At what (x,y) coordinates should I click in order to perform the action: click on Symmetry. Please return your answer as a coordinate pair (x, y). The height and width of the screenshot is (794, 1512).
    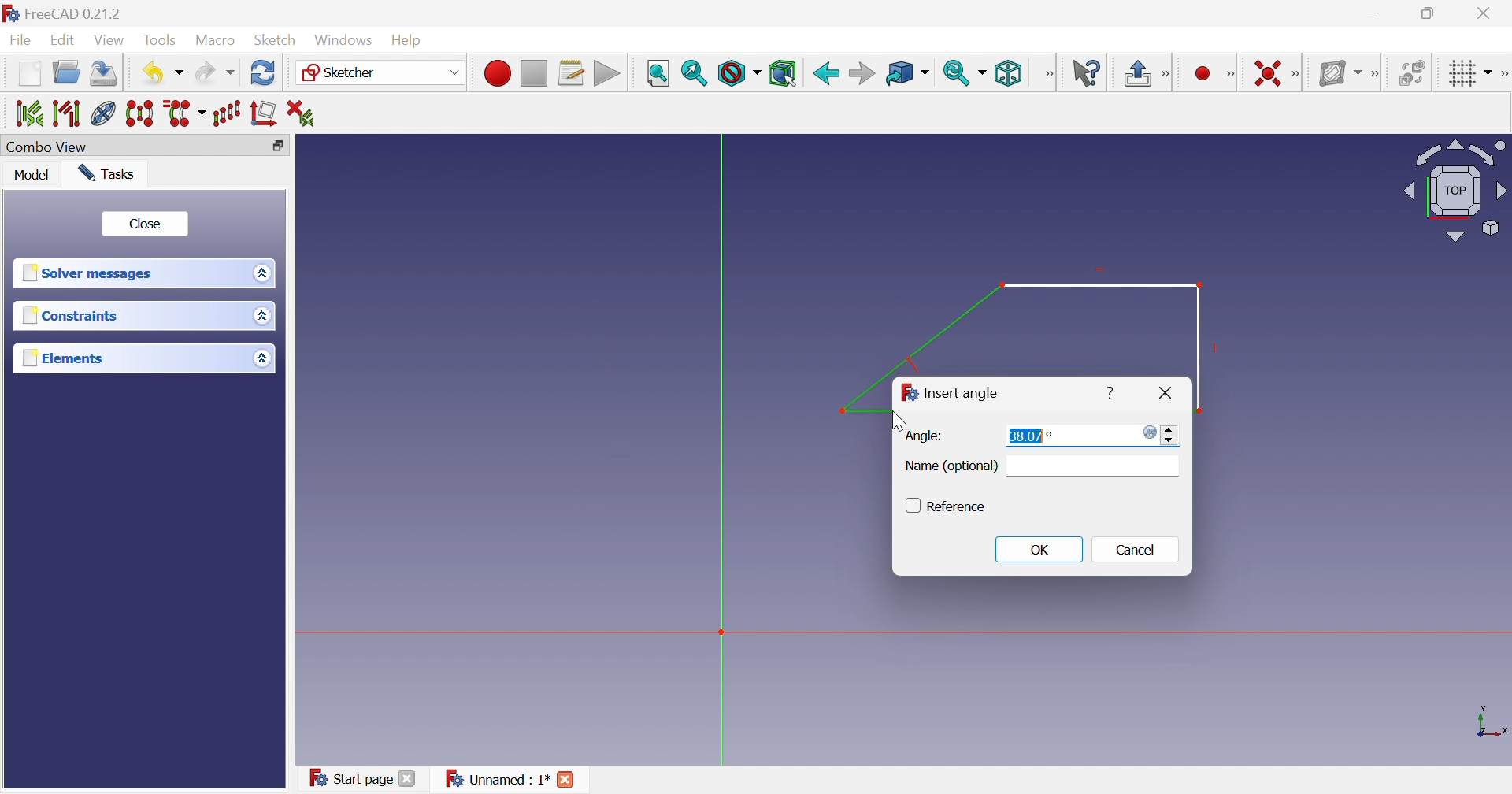
    Looking at the image, I should click on (140, 114).